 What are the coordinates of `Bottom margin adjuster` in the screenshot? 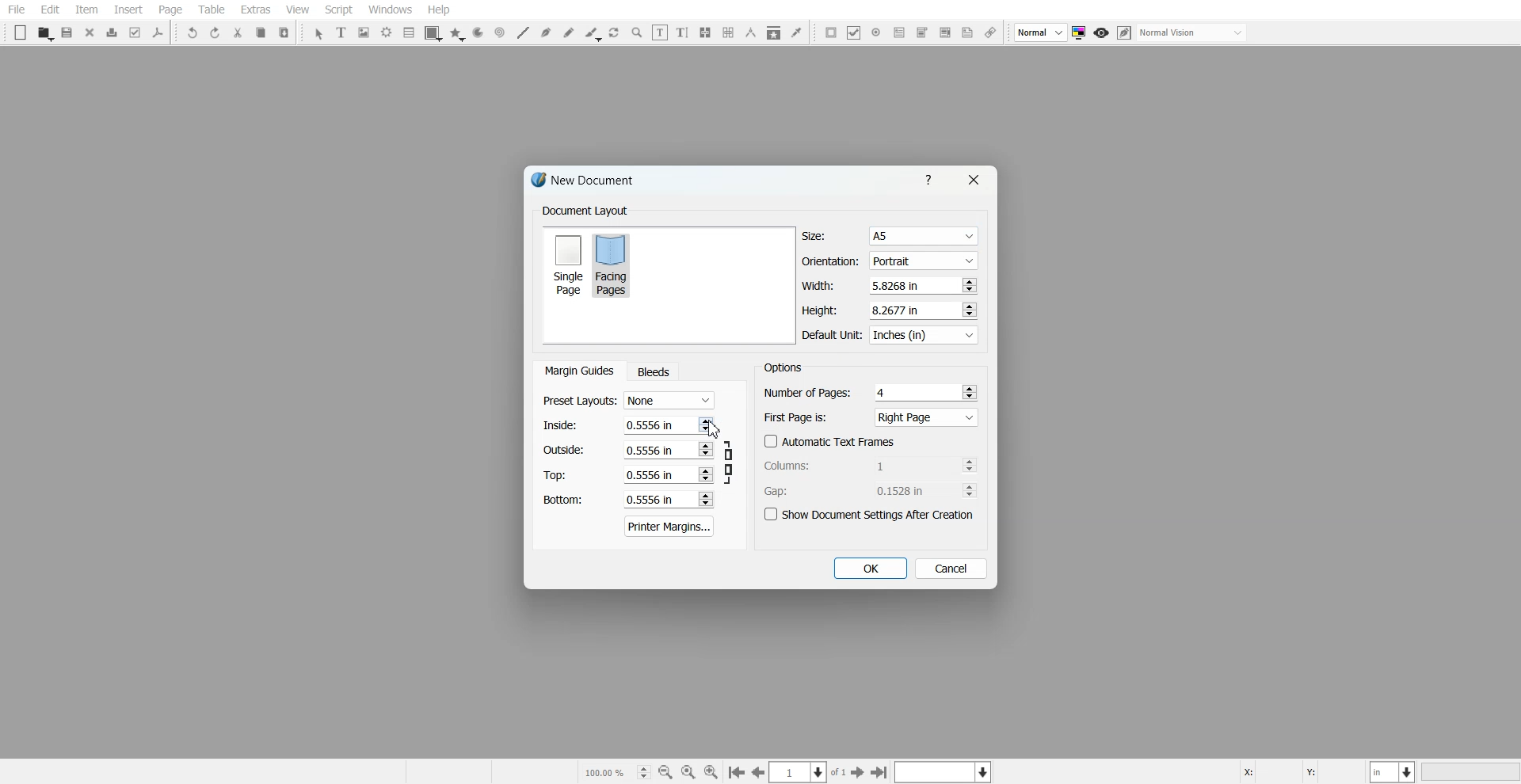 It's located at (627, 500).